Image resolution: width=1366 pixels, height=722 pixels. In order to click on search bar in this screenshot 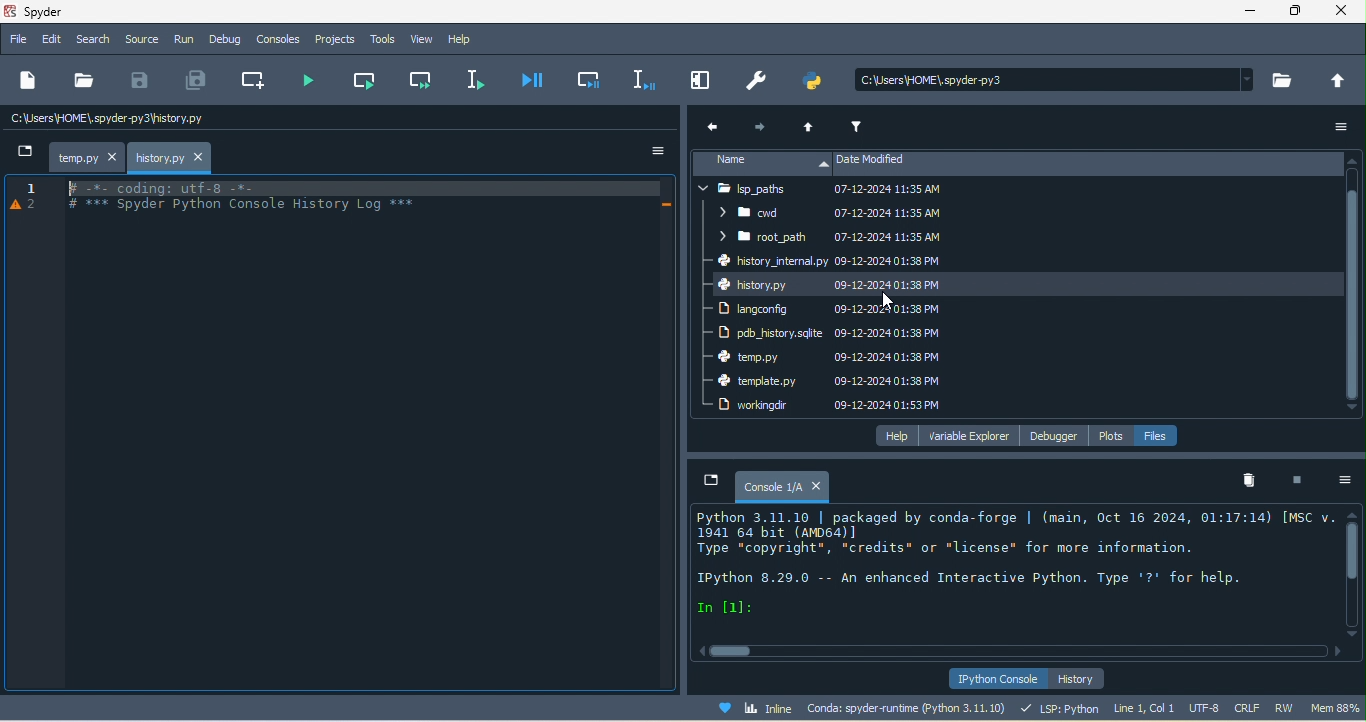, I will do `click(1053, 80)`.